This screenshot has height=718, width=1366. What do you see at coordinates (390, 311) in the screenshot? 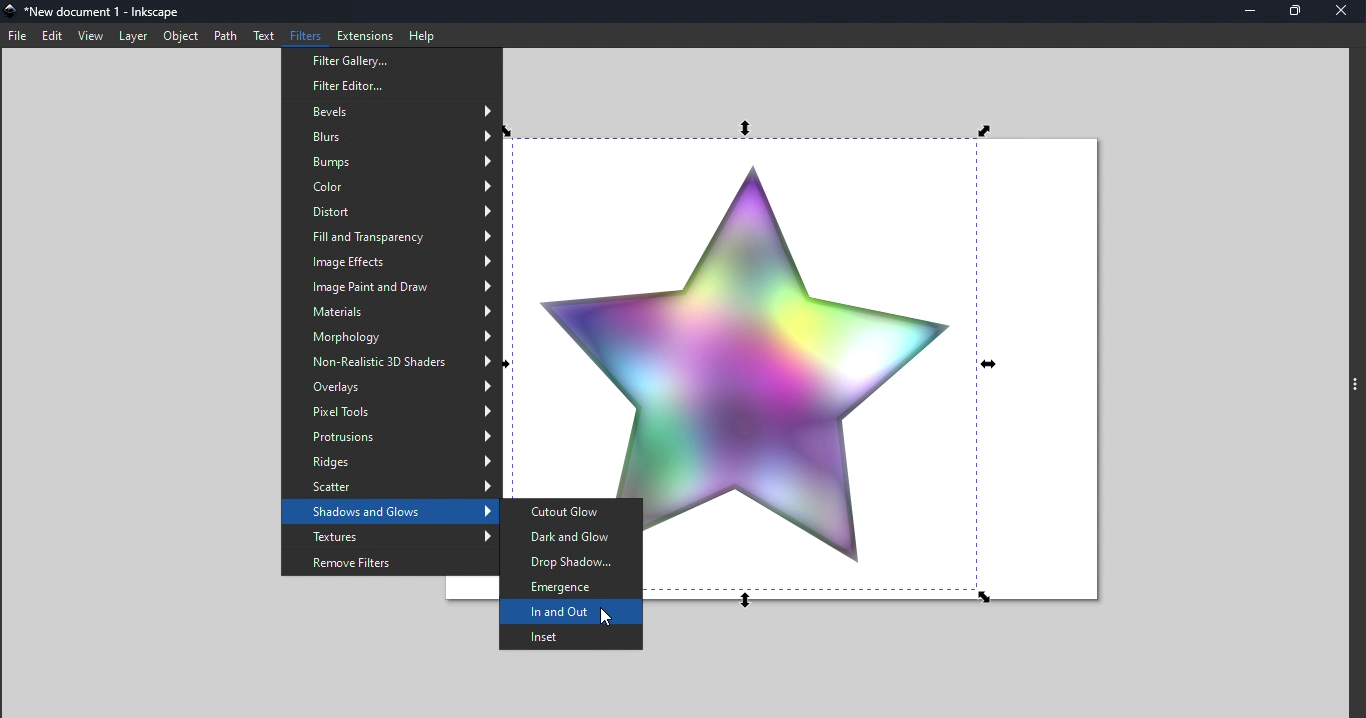
I see `Materials` at bounding box center [390, 311].